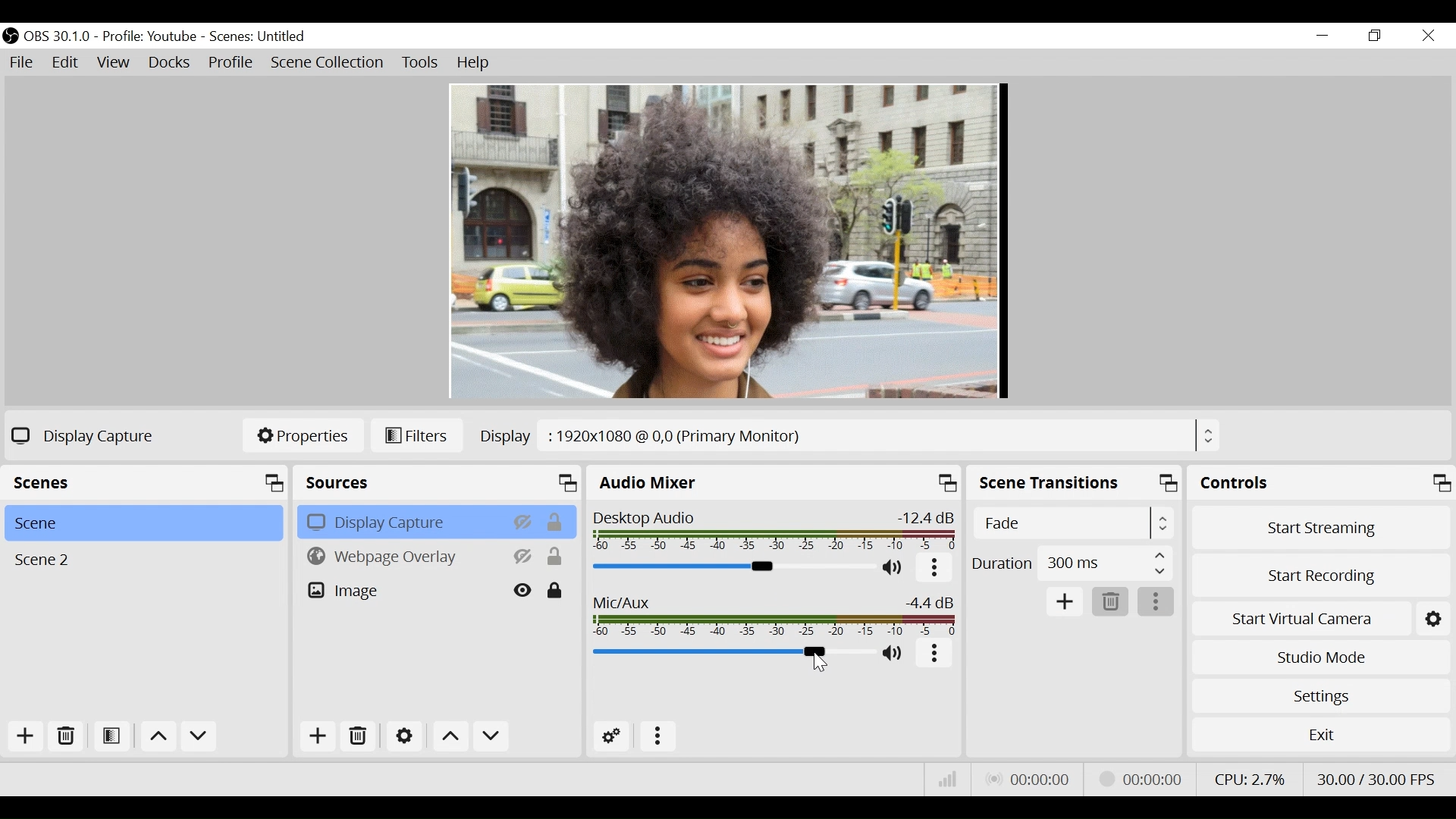  Describe the element at coordinates (230, 63) in the screenshot. I see `Profile` at that location.